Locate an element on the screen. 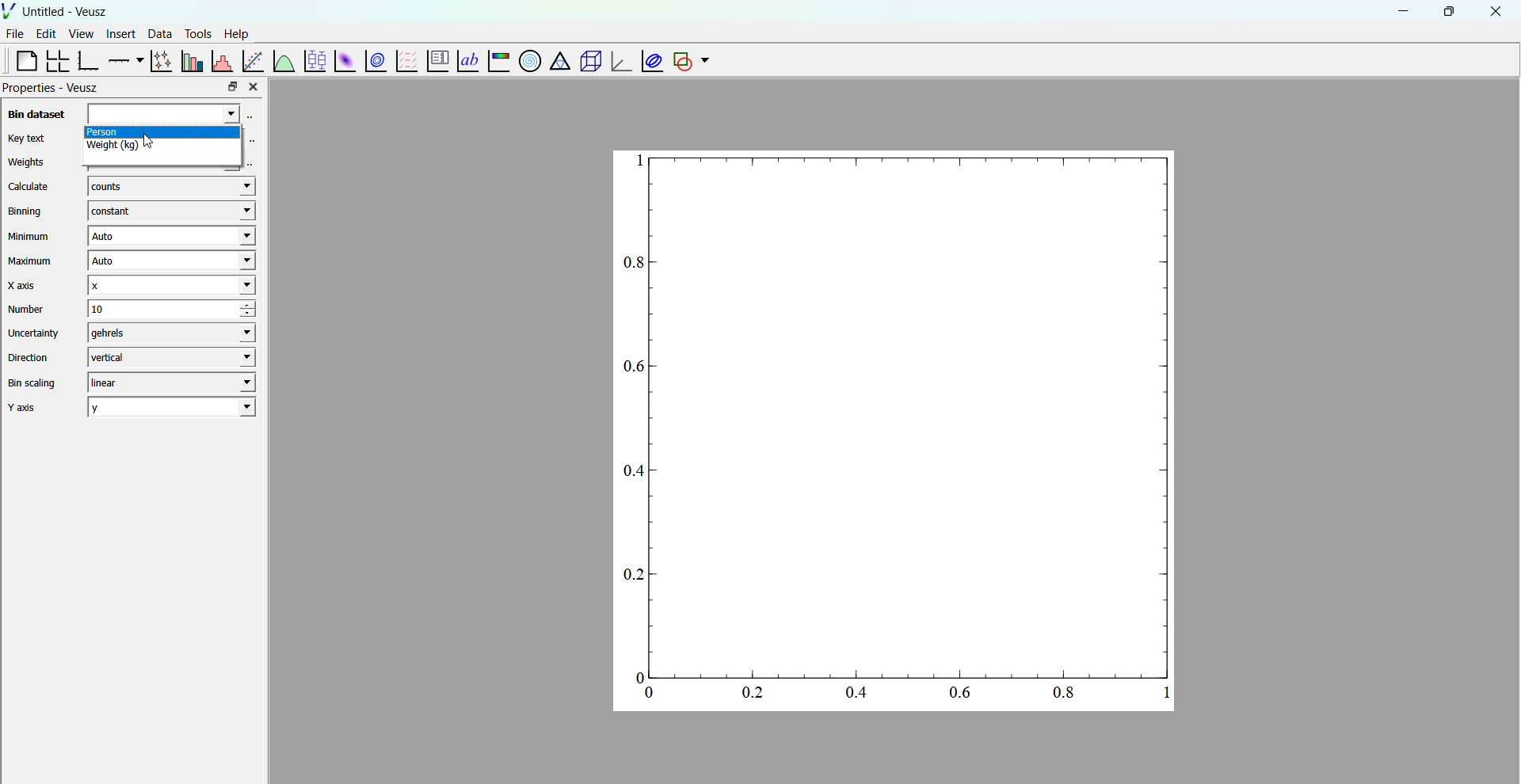 The image size is (1521, 784). polar graph is located at coordinates (527, 60).